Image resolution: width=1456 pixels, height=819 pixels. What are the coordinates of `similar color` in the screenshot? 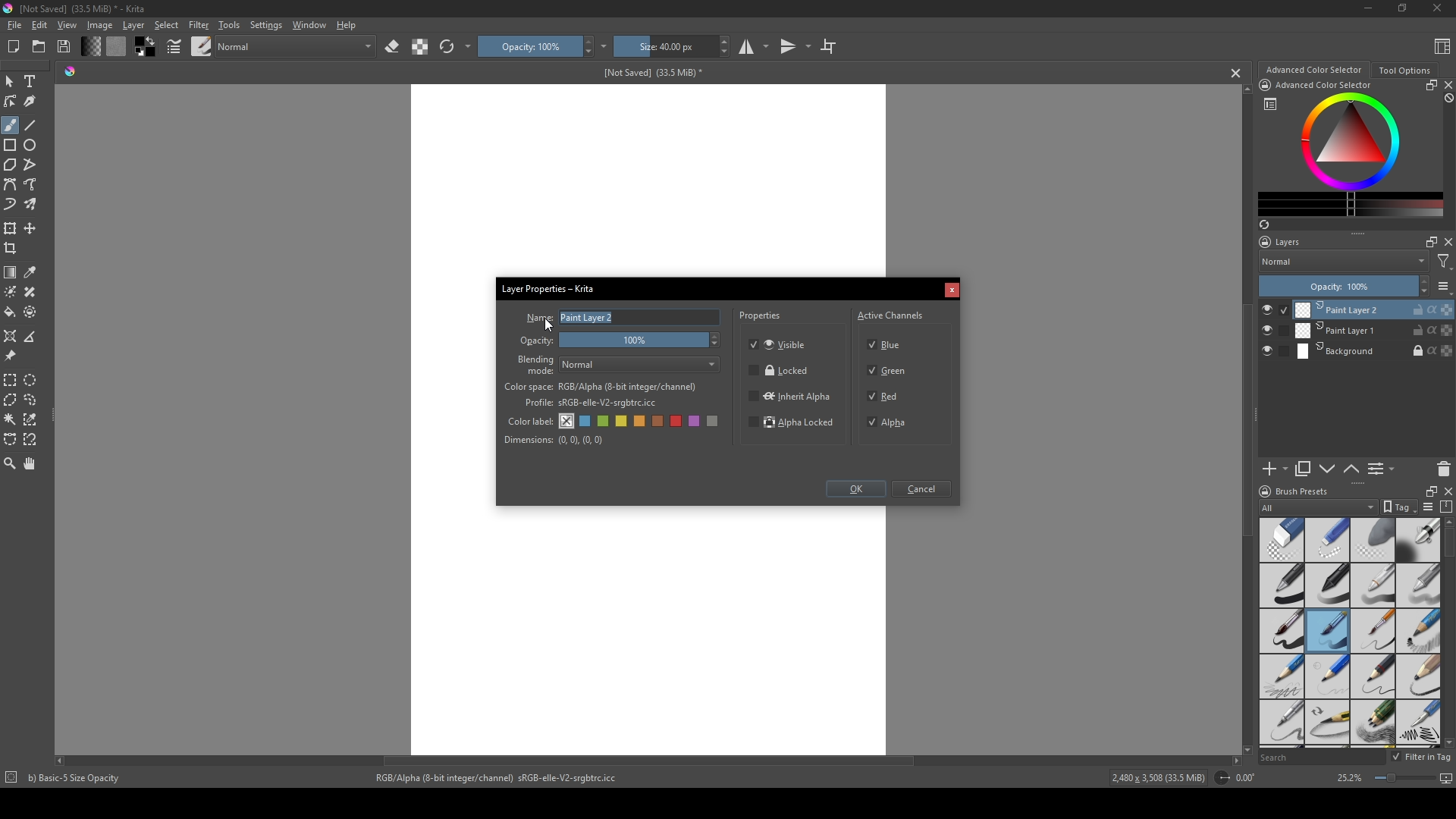 It's located at (33, 419).